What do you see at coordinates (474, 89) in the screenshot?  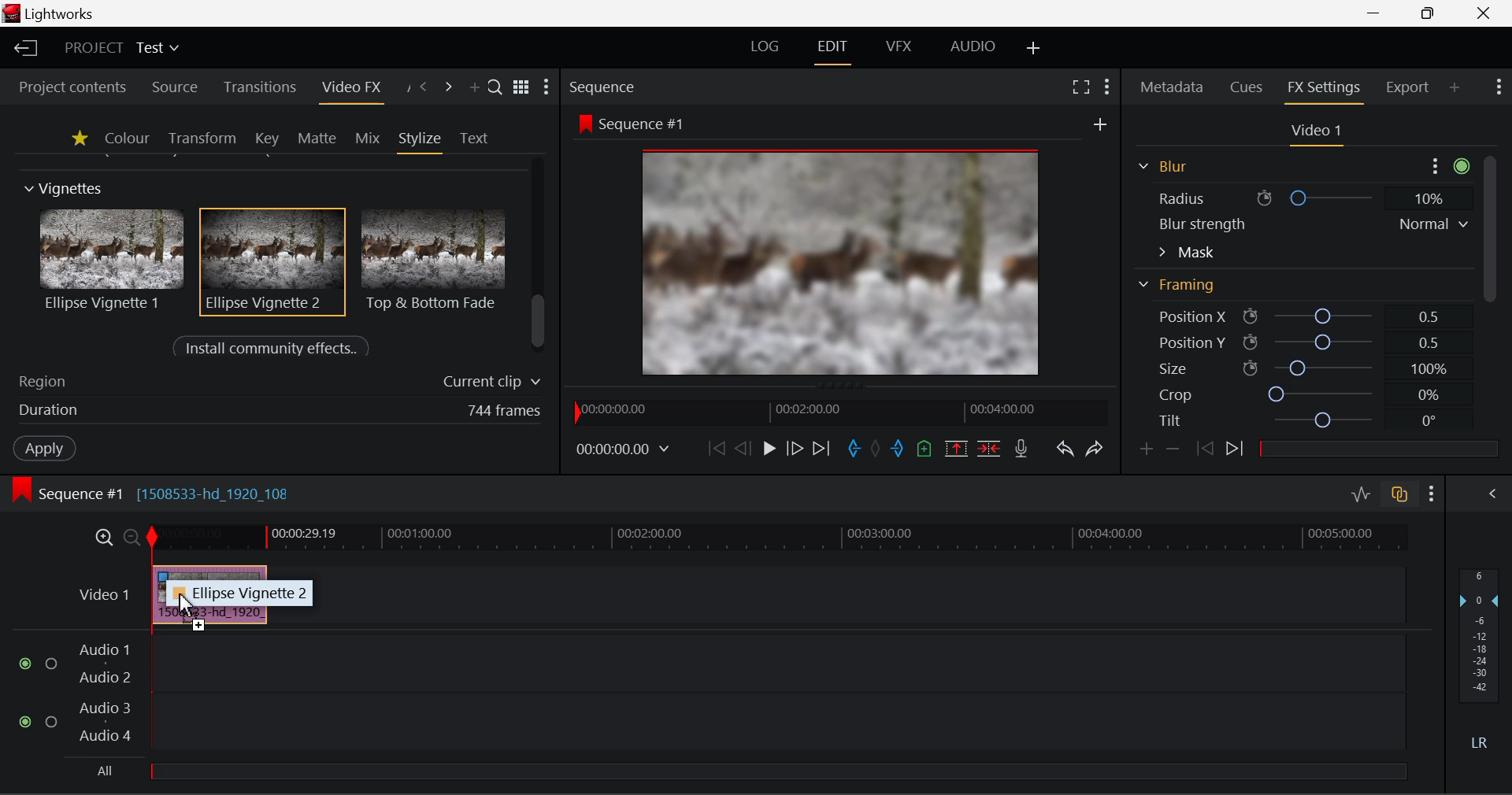 I see `Add Panel` at bounding box center [474, 89].